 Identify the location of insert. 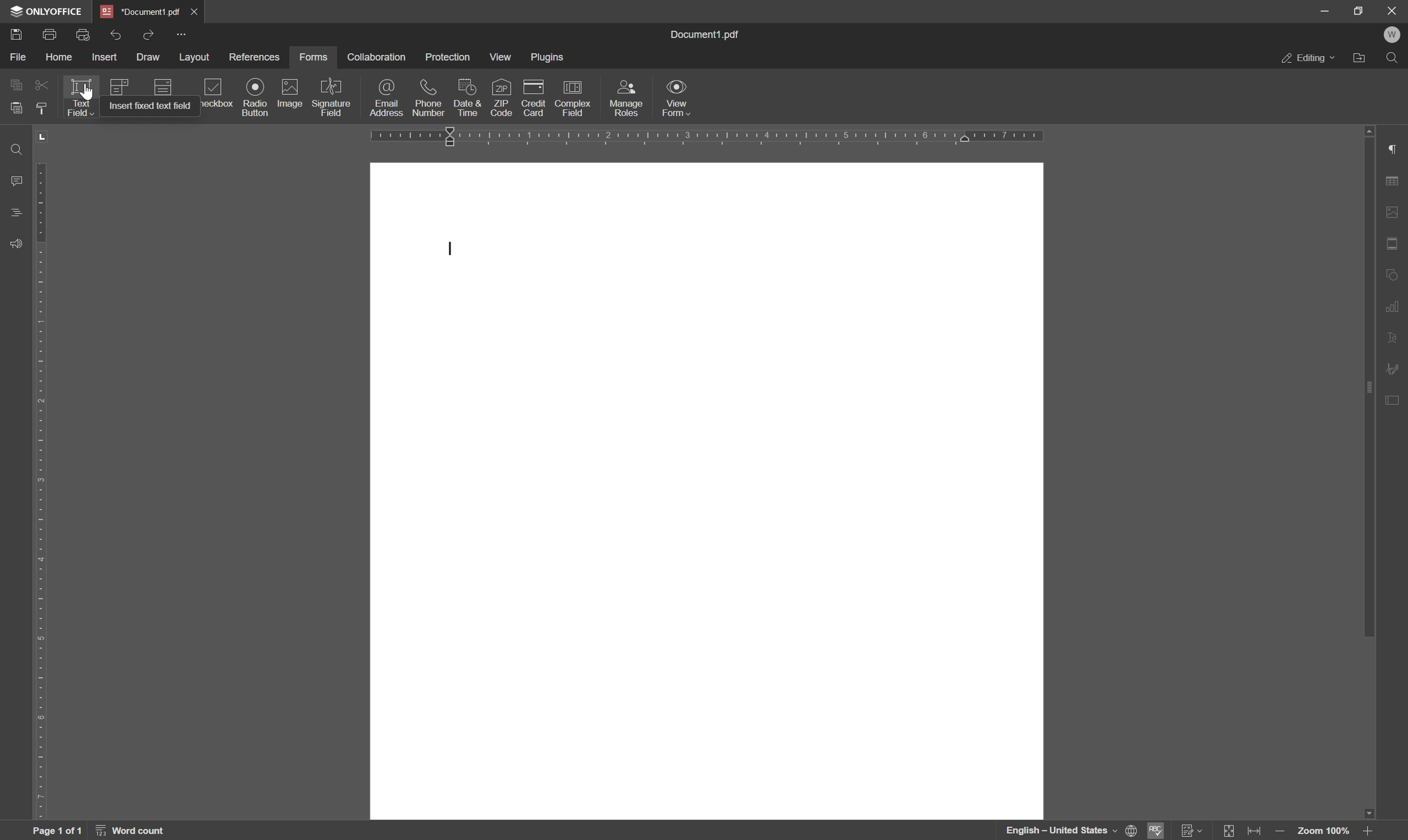
(106, 57).